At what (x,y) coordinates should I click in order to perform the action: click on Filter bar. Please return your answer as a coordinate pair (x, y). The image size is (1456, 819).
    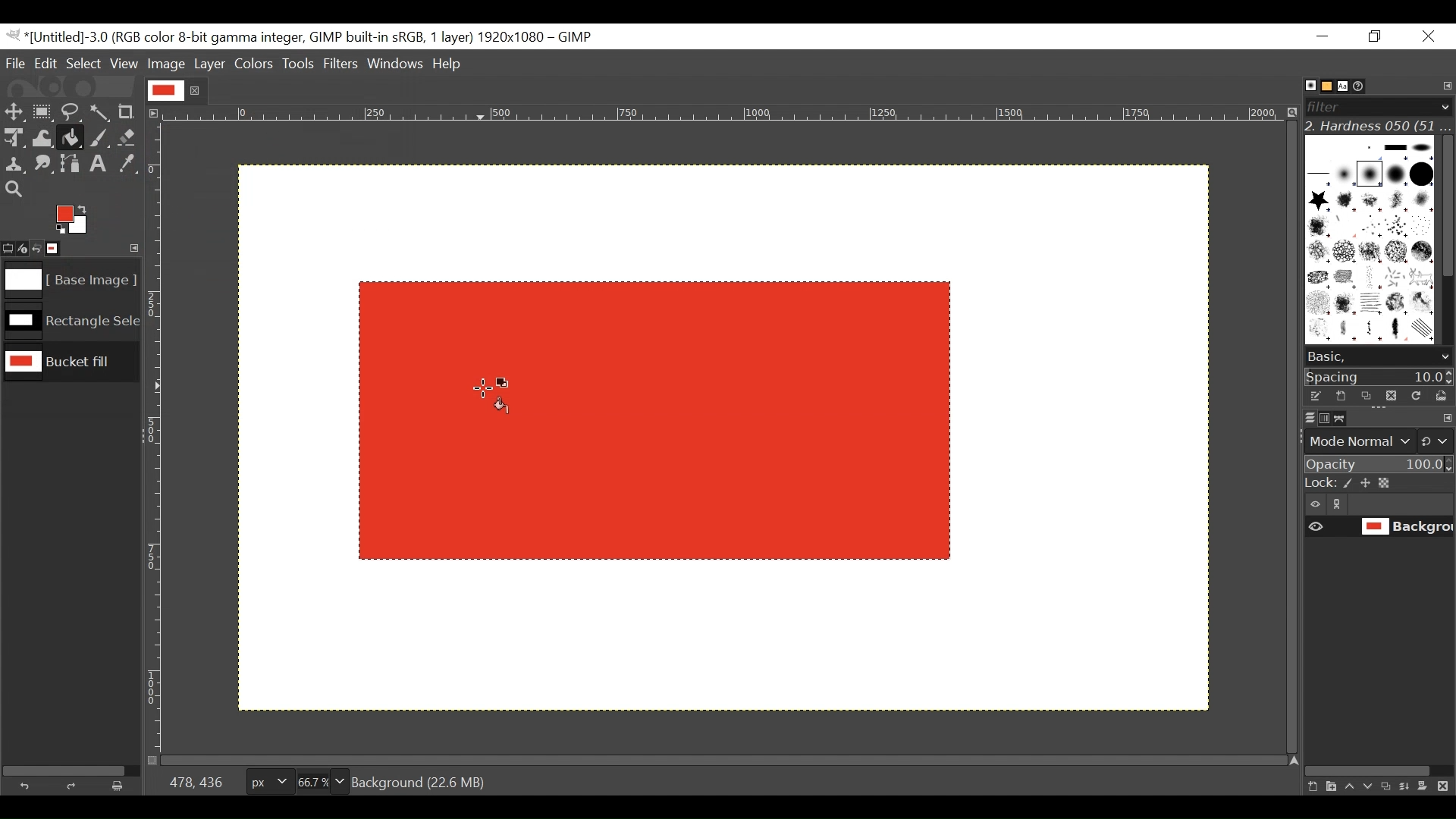
    Looking at the image, I should click on (1377, 105).